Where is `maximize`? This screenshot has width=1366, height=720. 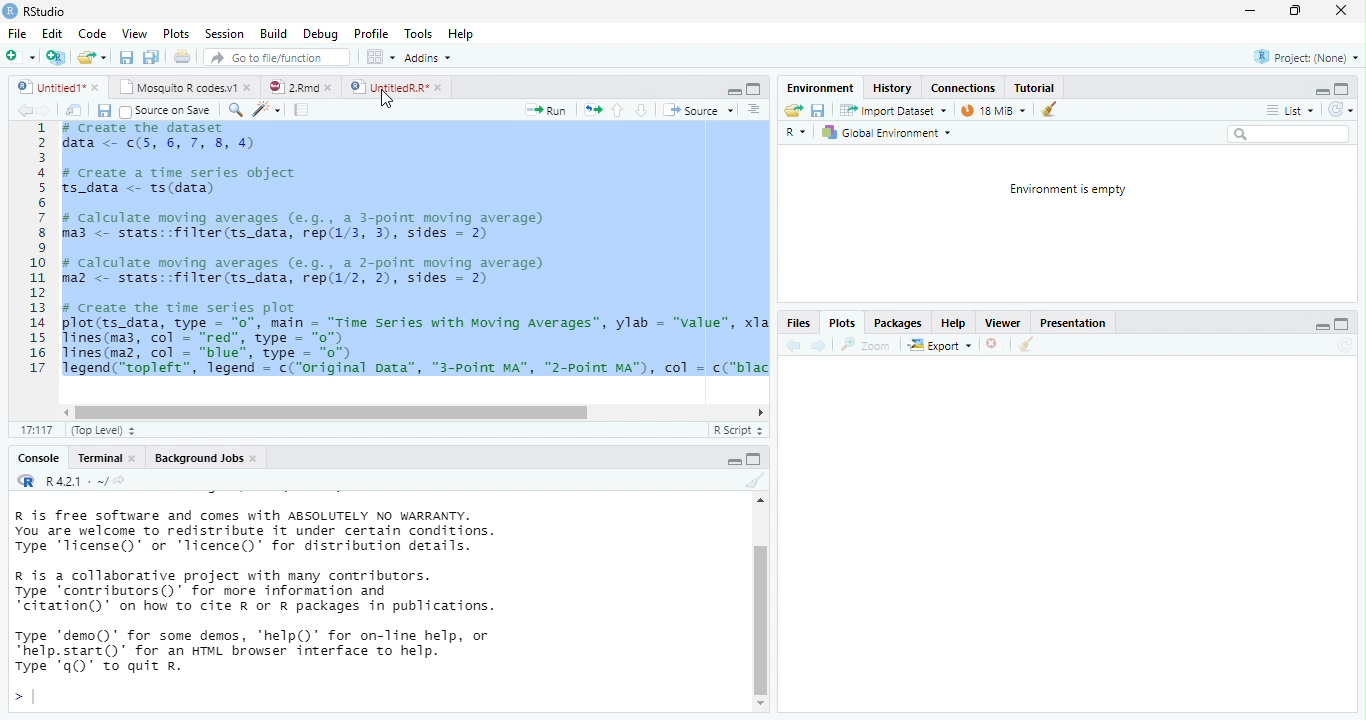
maximize is located at coordinates (1342, 88).